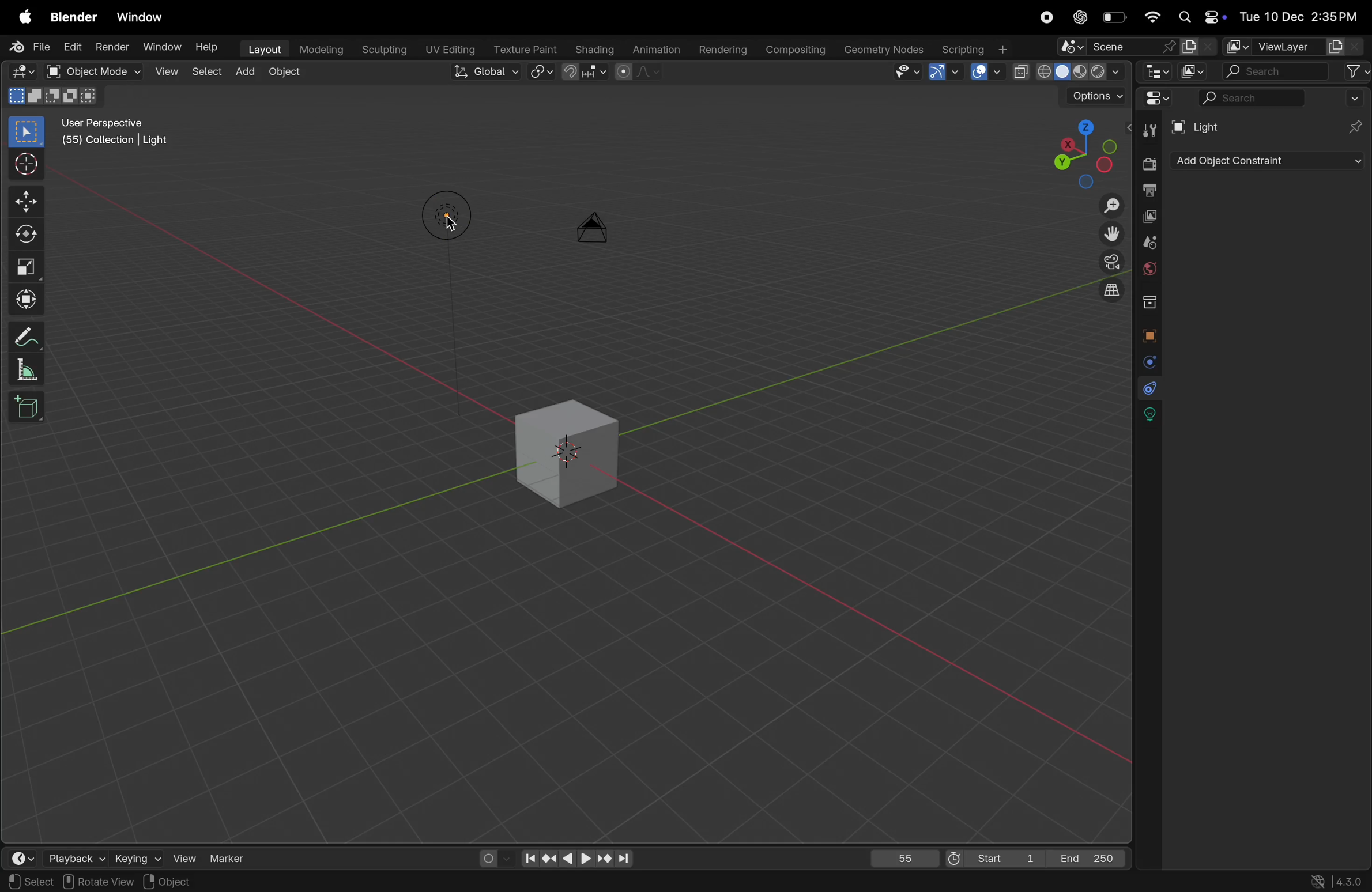 The width and height of the screenshot is (1372, 892). Describe the element at coordinates (27, 133) in the screenshot. I see `select` at that location.